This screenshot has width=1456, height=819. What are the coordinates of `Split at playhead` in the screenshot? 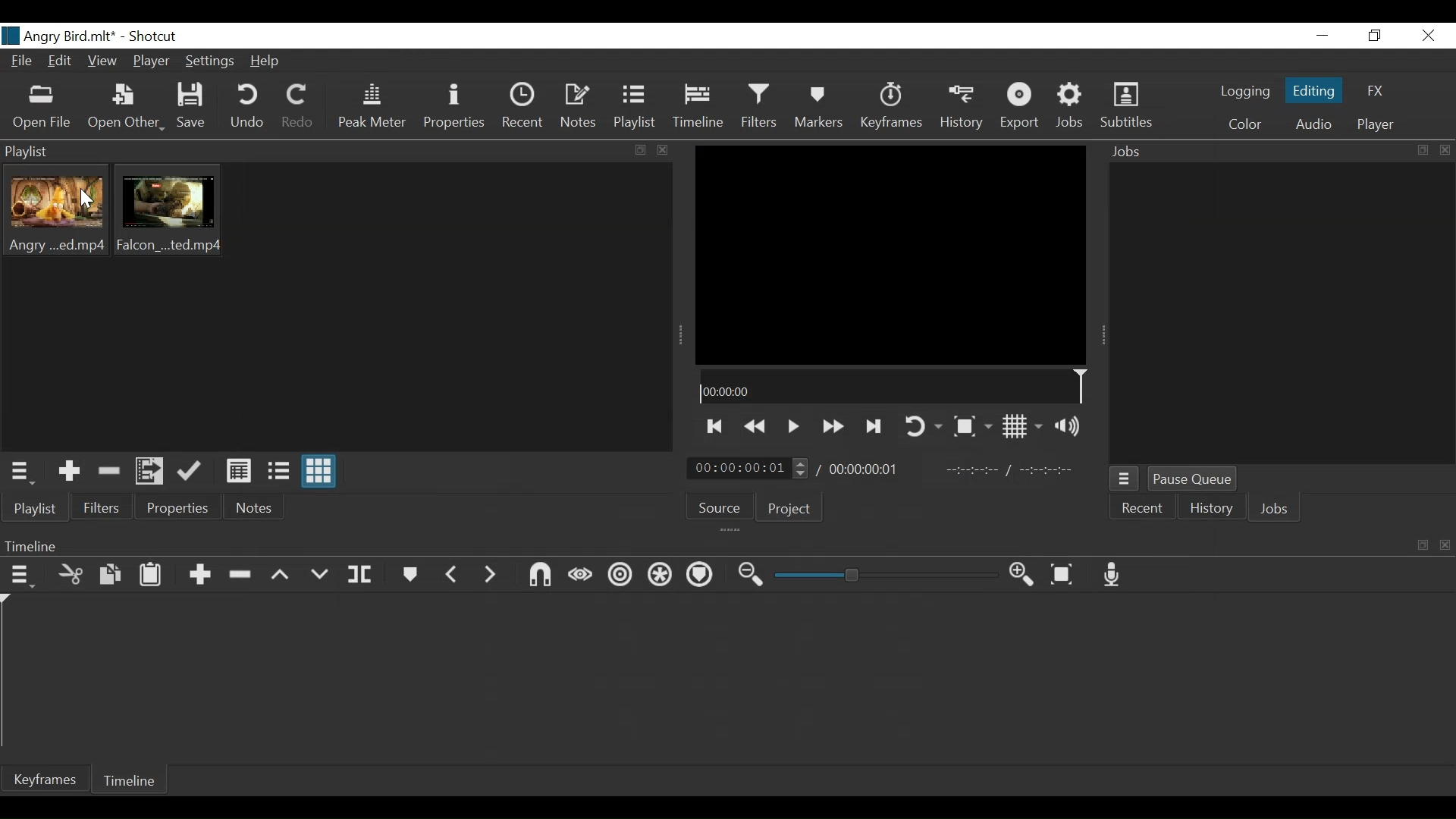 It's located at (362, 573).